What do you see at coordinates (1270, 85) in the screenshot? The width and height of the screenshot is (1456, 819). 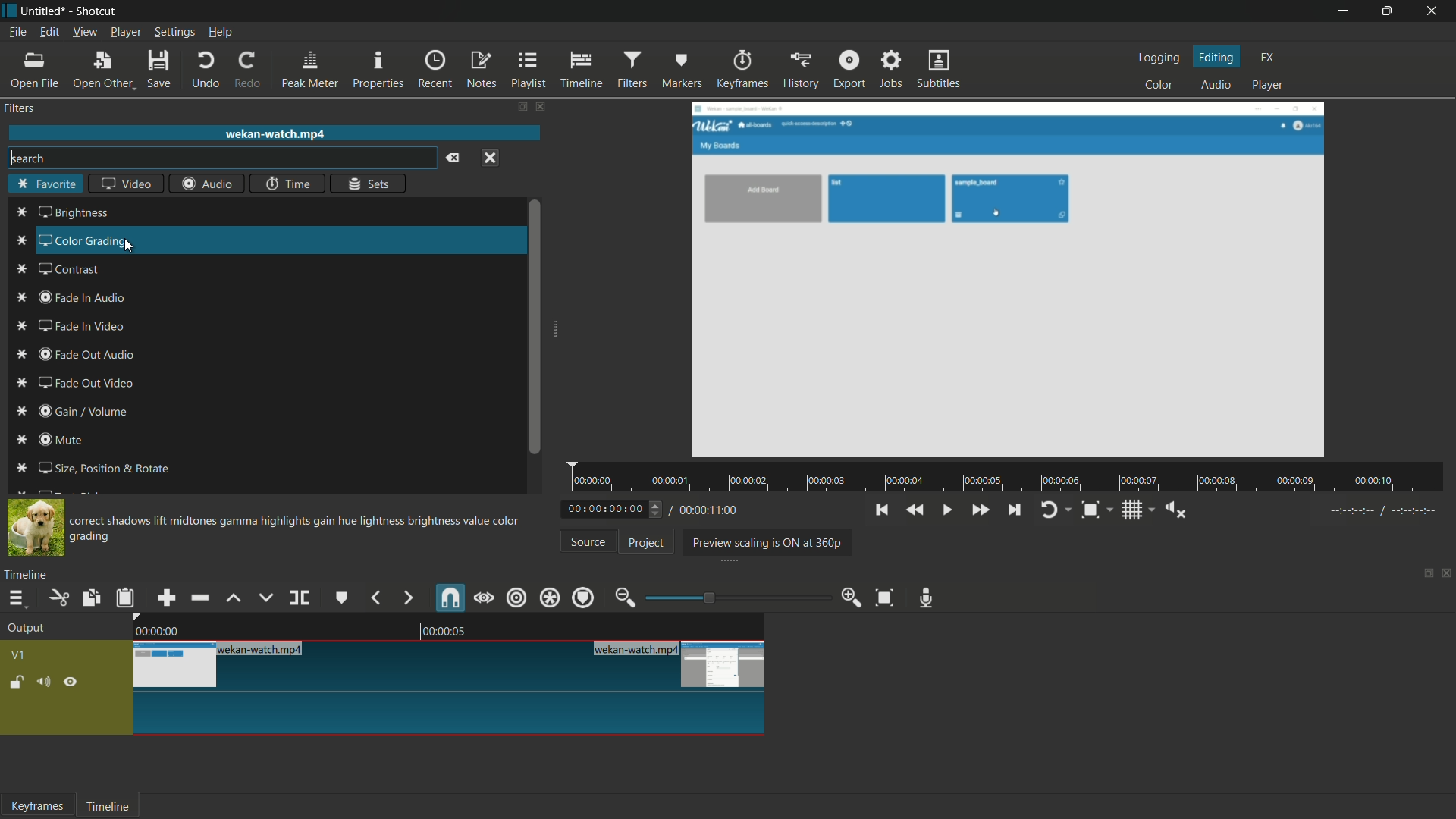 I see `player` at bounding box center [1270, 85].